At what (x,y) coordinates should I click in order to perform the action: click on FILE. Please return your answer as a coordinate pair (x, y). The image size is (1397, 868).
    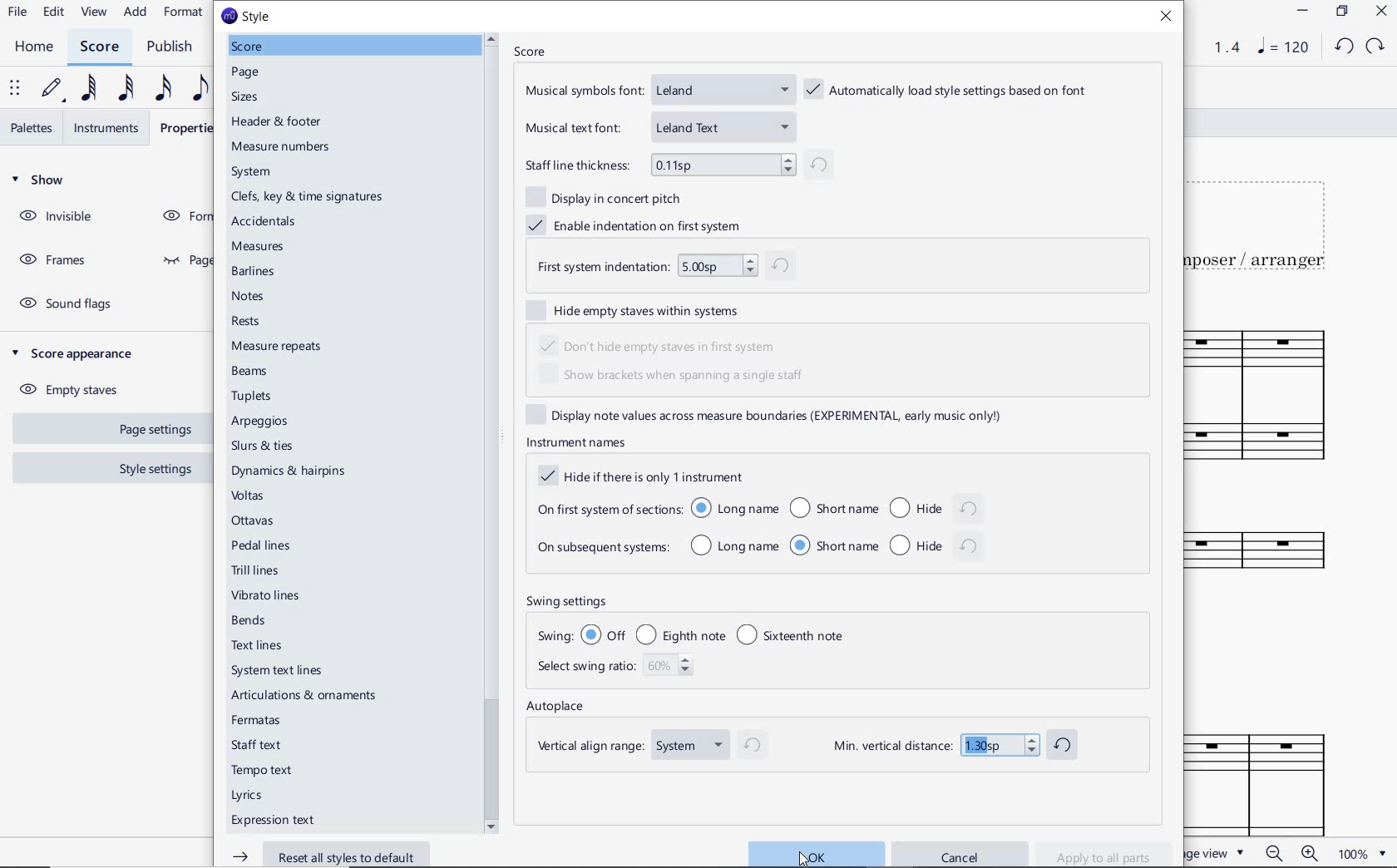
    Looking at the image, I should click on (17, 12).